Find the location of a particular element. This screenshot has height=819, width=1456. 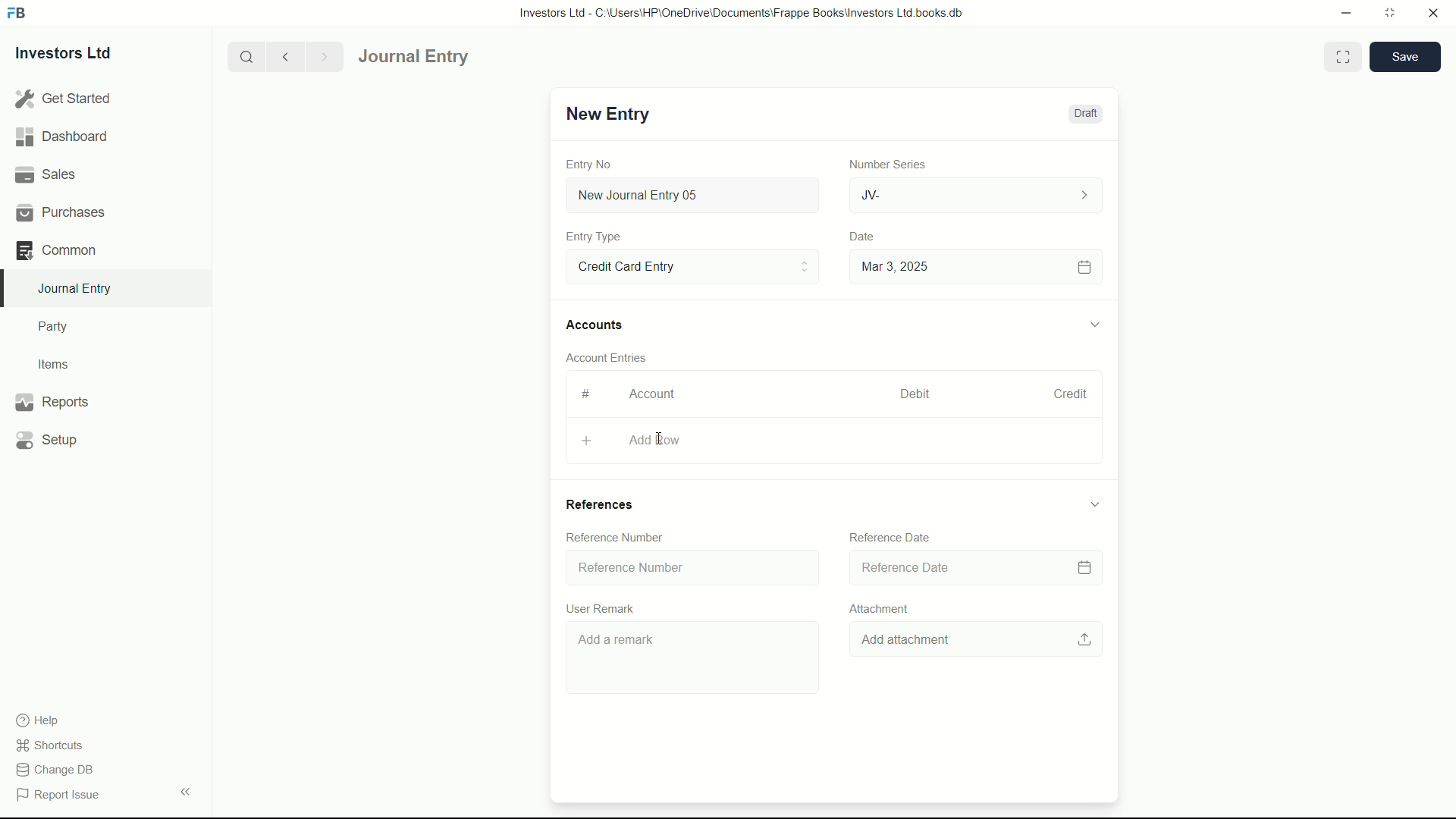

FrappeBooks logo is located at coordinates (17, 14).